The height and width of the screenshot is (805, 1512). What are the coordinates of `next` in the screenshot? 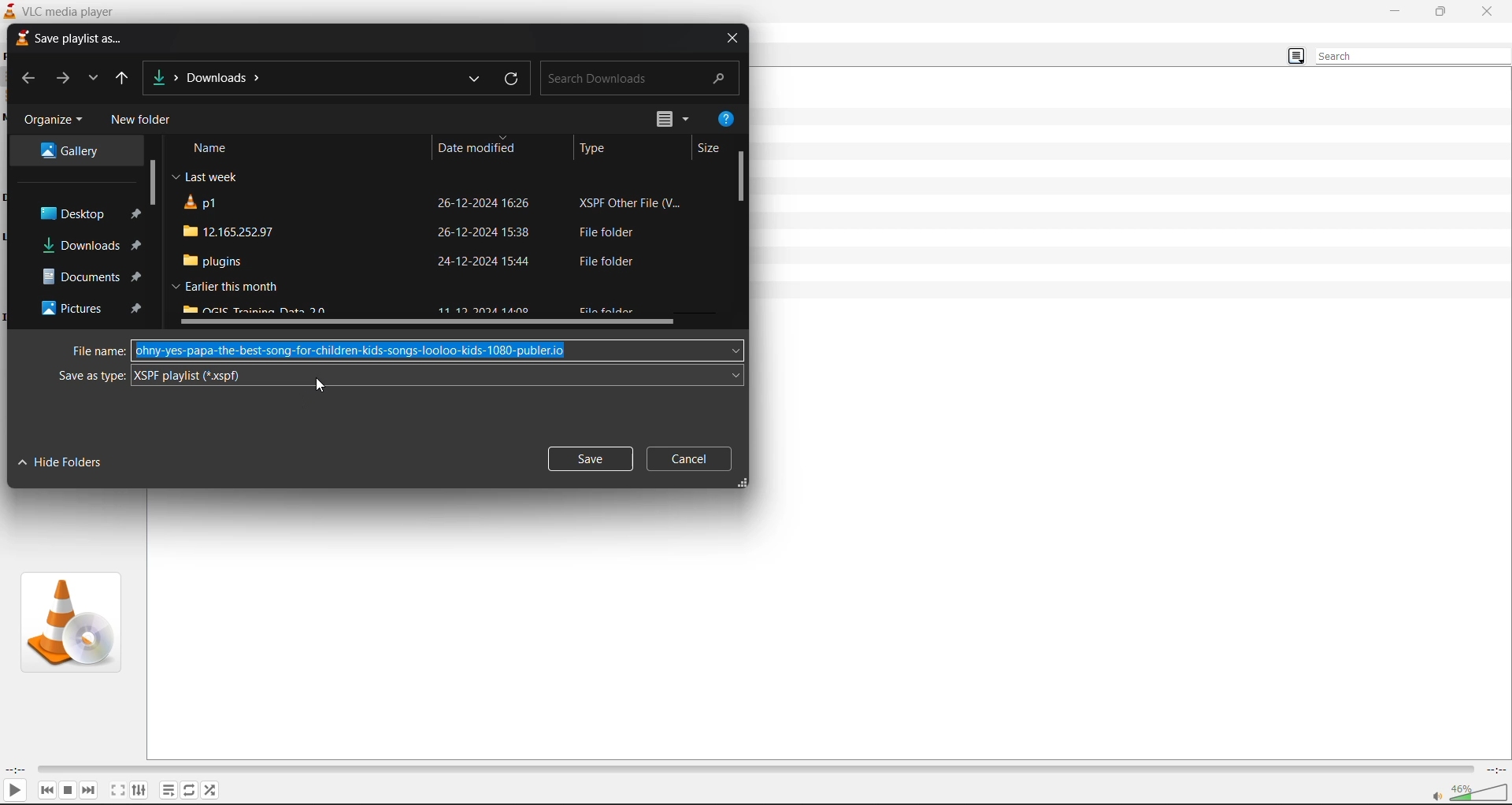 It's located at (92, 790).